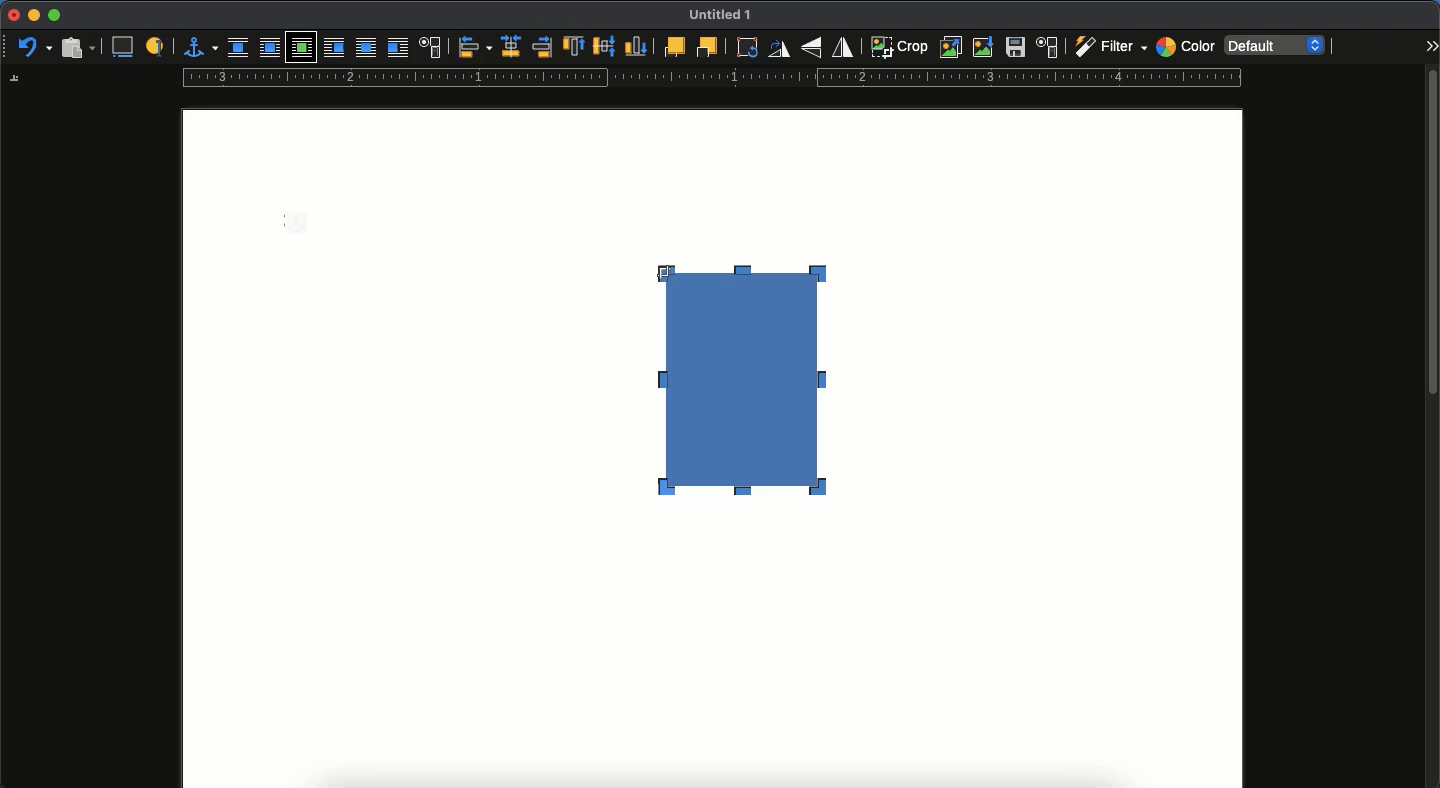 The height and width of the screenshot is (788, 1440). Describe the element at coordinates (157, 45) in the screenshot. I see `a label to identify an object` at that location.